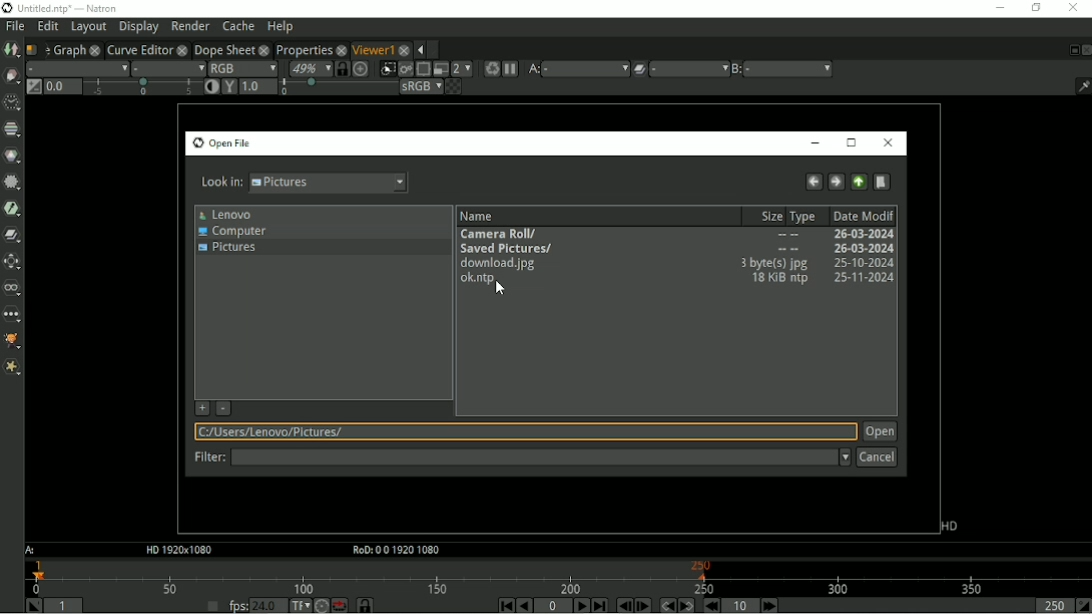 This screenshot has height=614, width=1092. I want to click on Edit, so click(47, 27).